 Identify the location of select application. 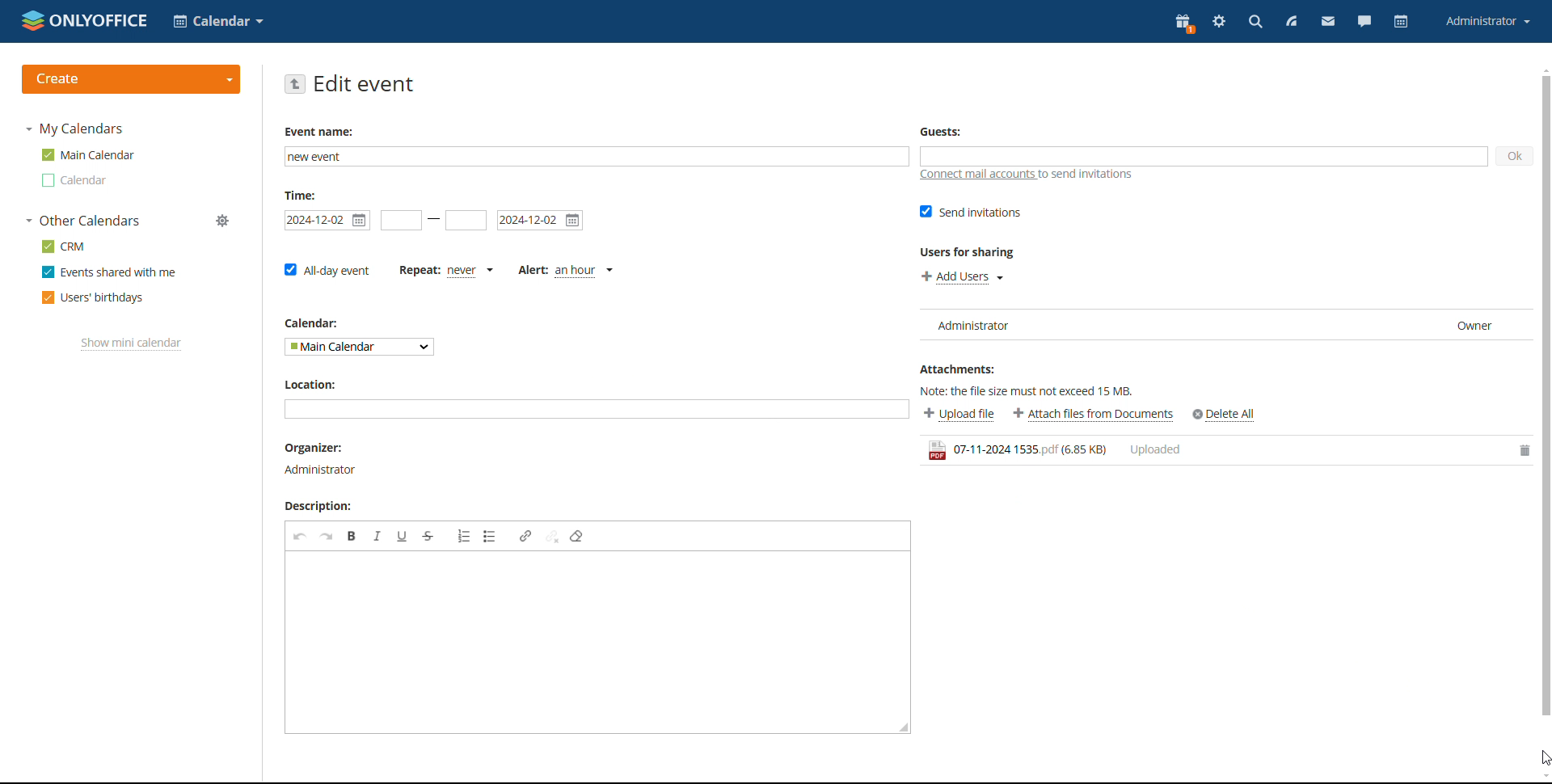
(218, 22).